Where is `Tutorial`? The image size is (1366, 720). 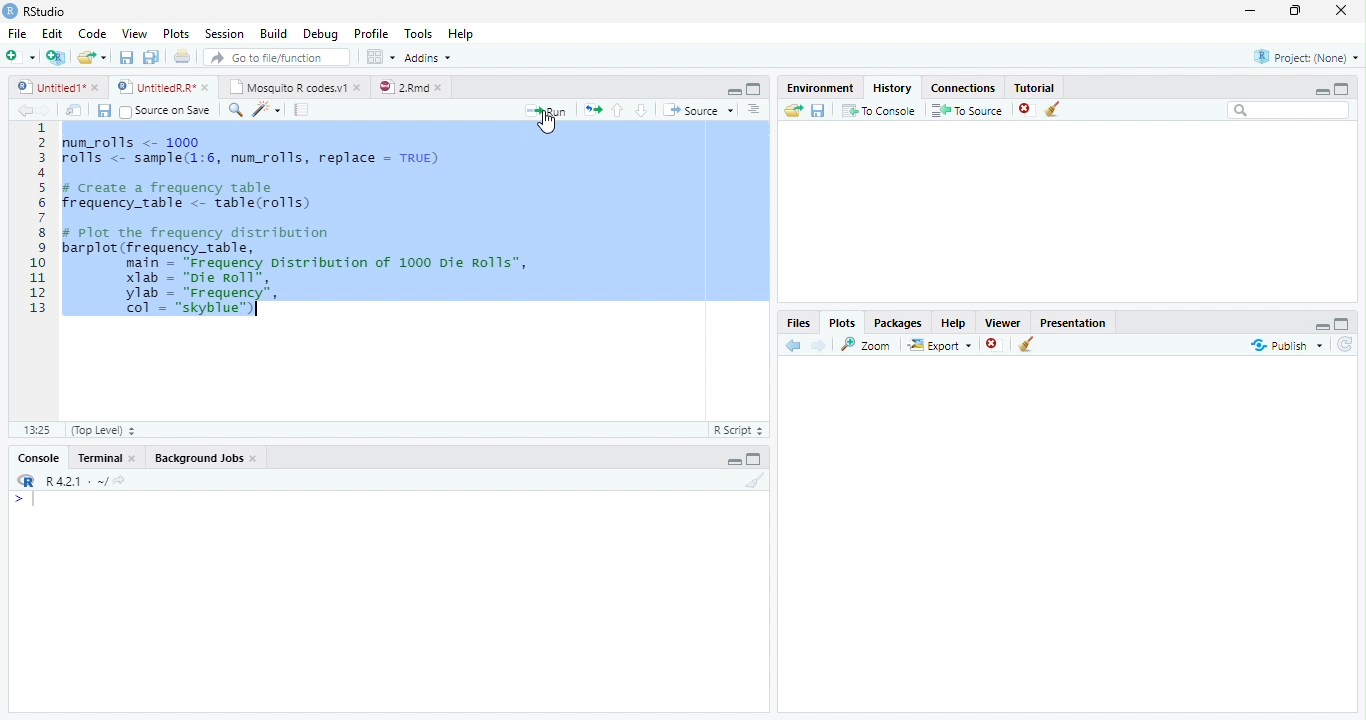 Tutorial is located at coordinates (1034, 86).